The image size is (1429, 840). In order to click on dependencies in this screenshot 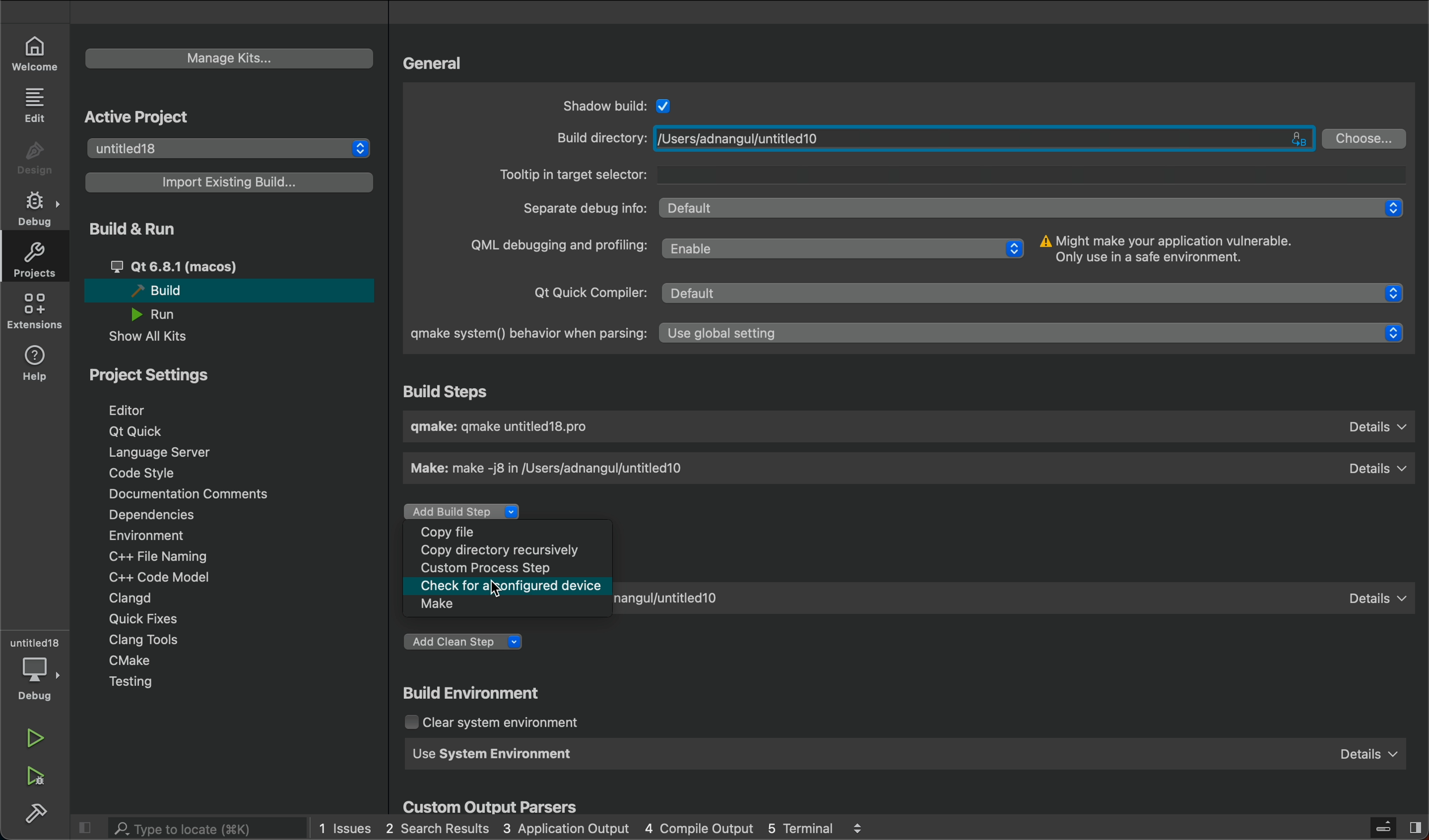, I will do `click(153, 516)`.